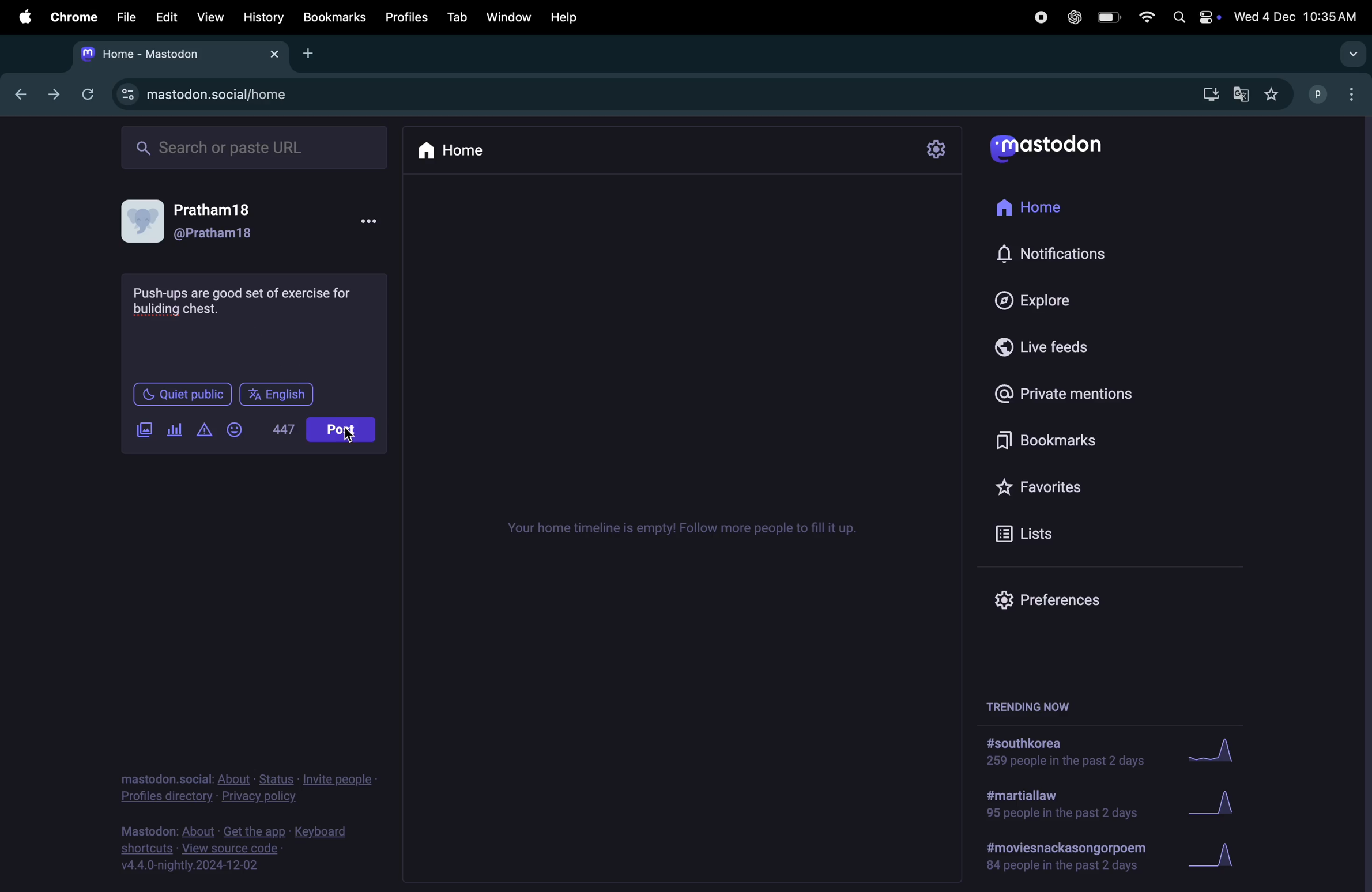  I want to click on post, so click(342, 430).